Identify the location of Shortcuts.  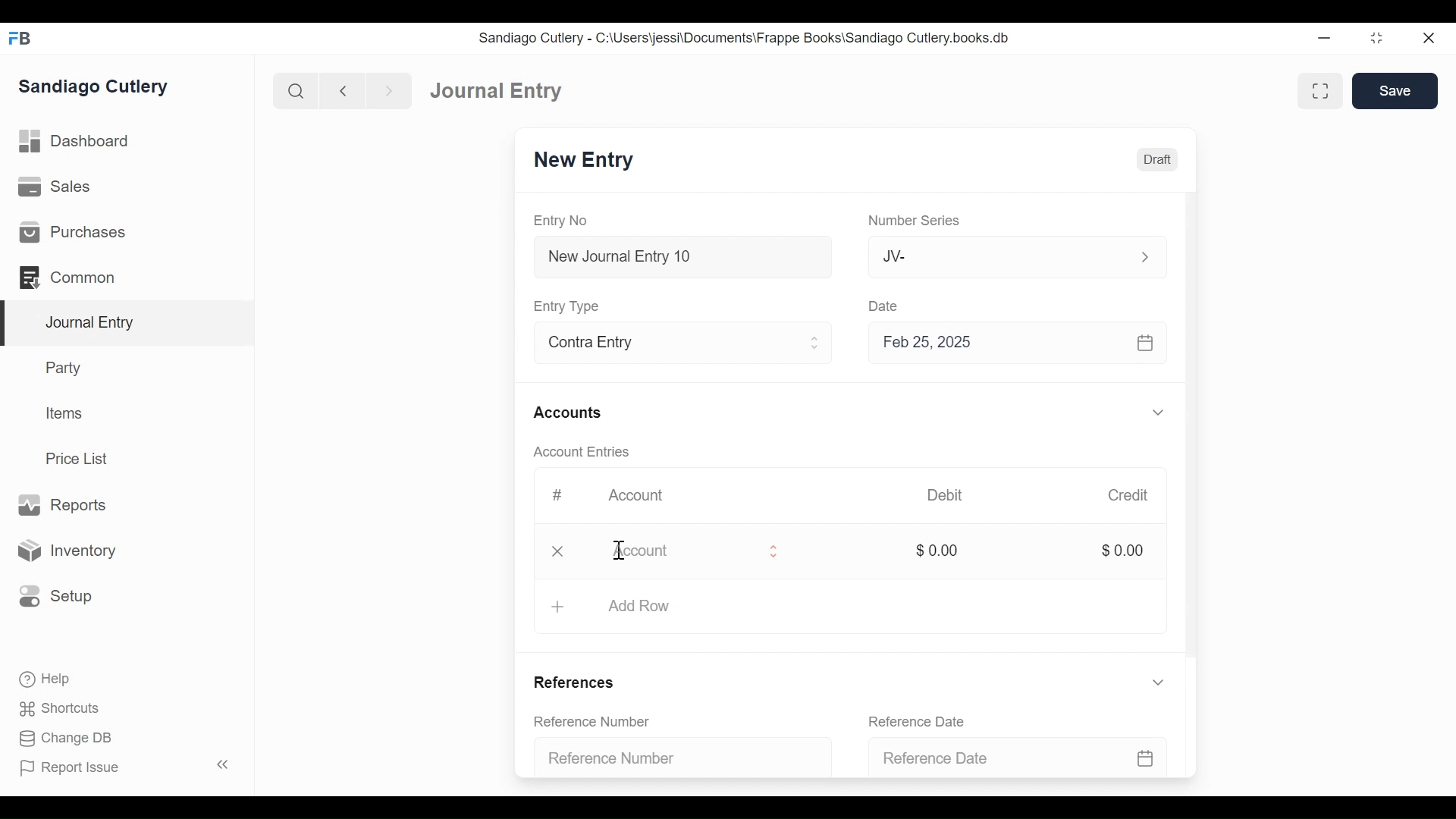
(55, 708).